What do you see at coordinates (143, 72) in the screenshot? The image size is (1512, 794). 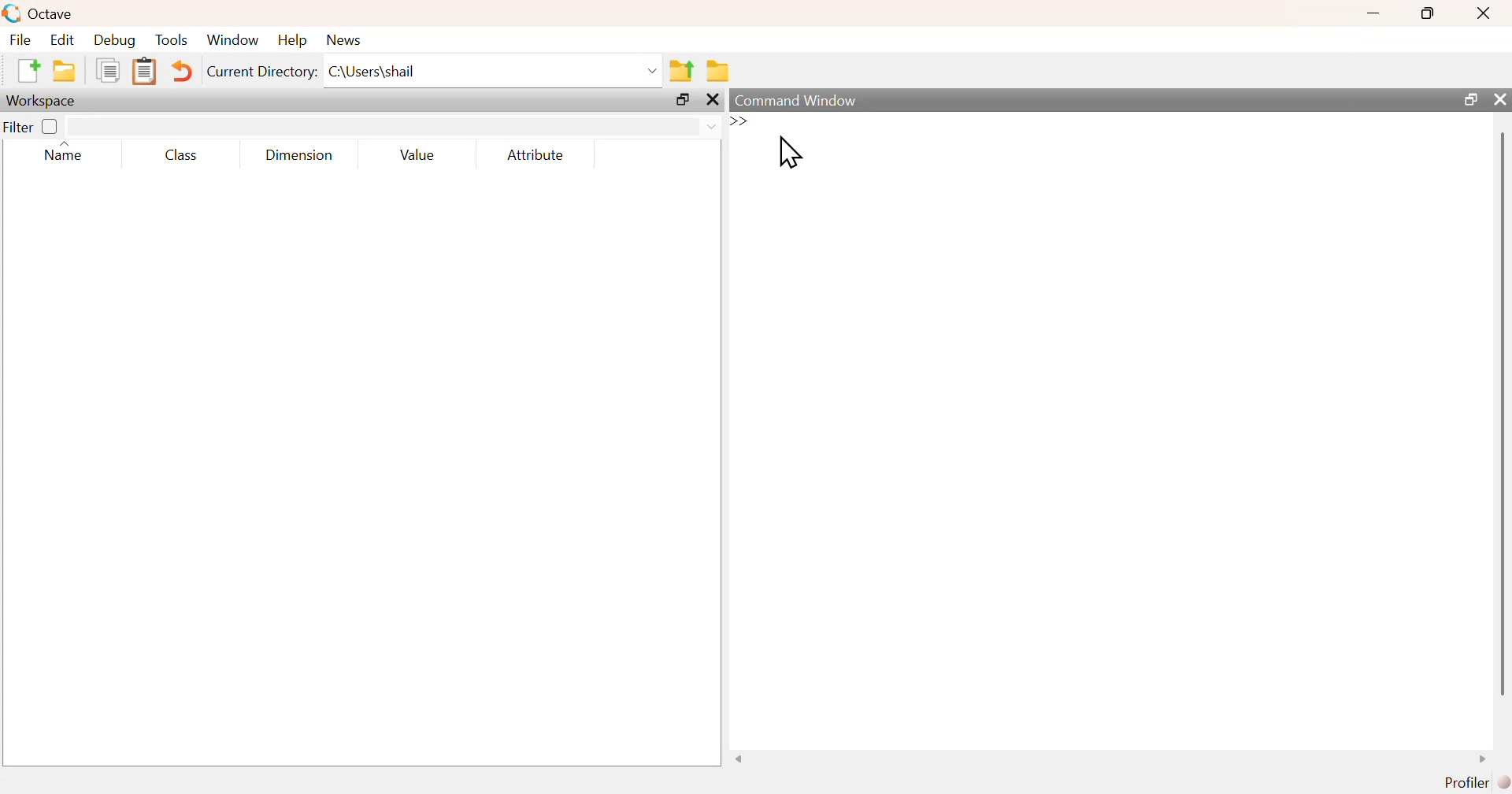 I see `Clipboard` at bounding box center [143, 72].